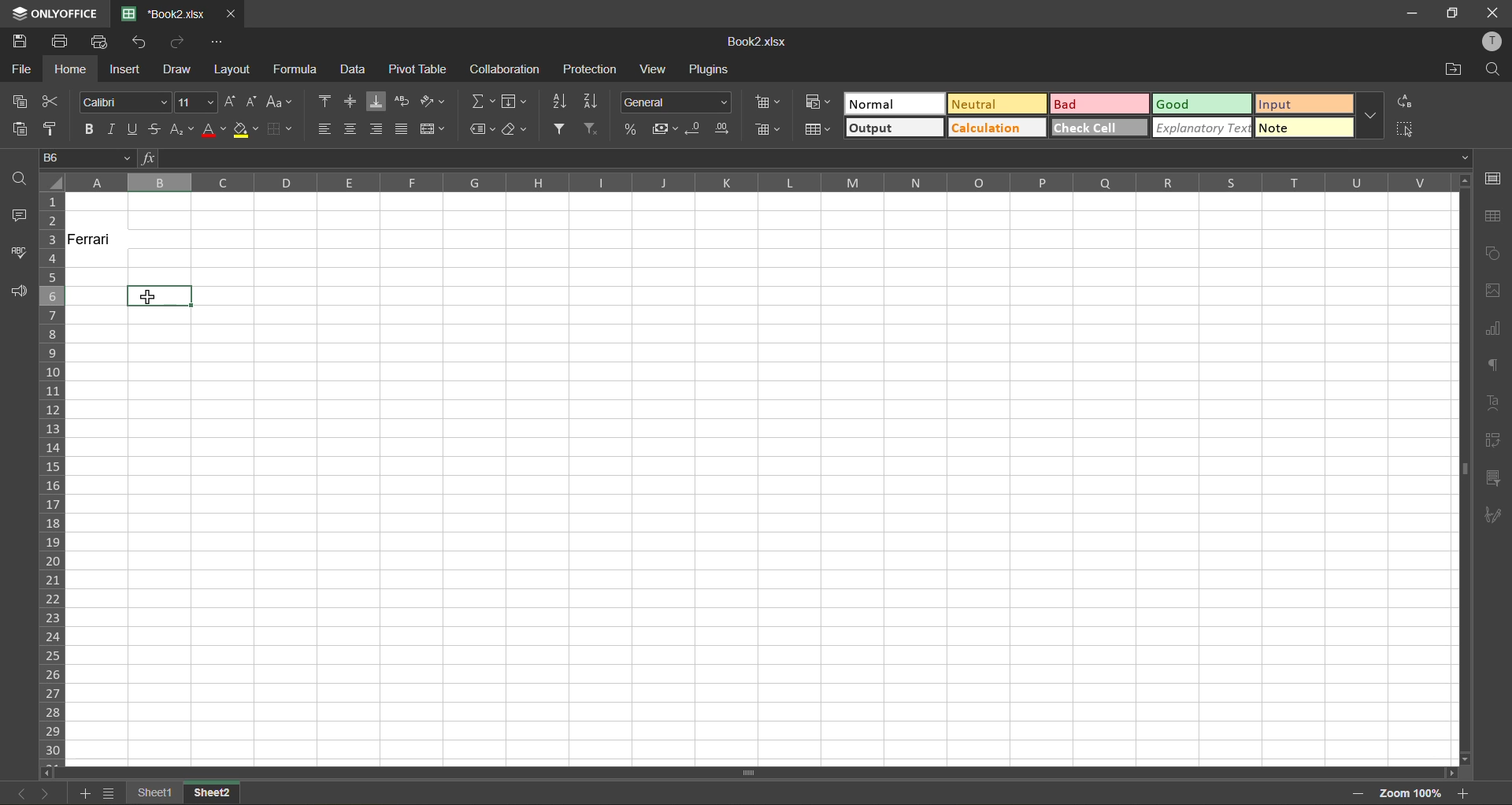 The width and height of the screenshot is (1512, 805). Describe the element at coordinates (483, 102) in the screenshot. I see `summation` at that location.